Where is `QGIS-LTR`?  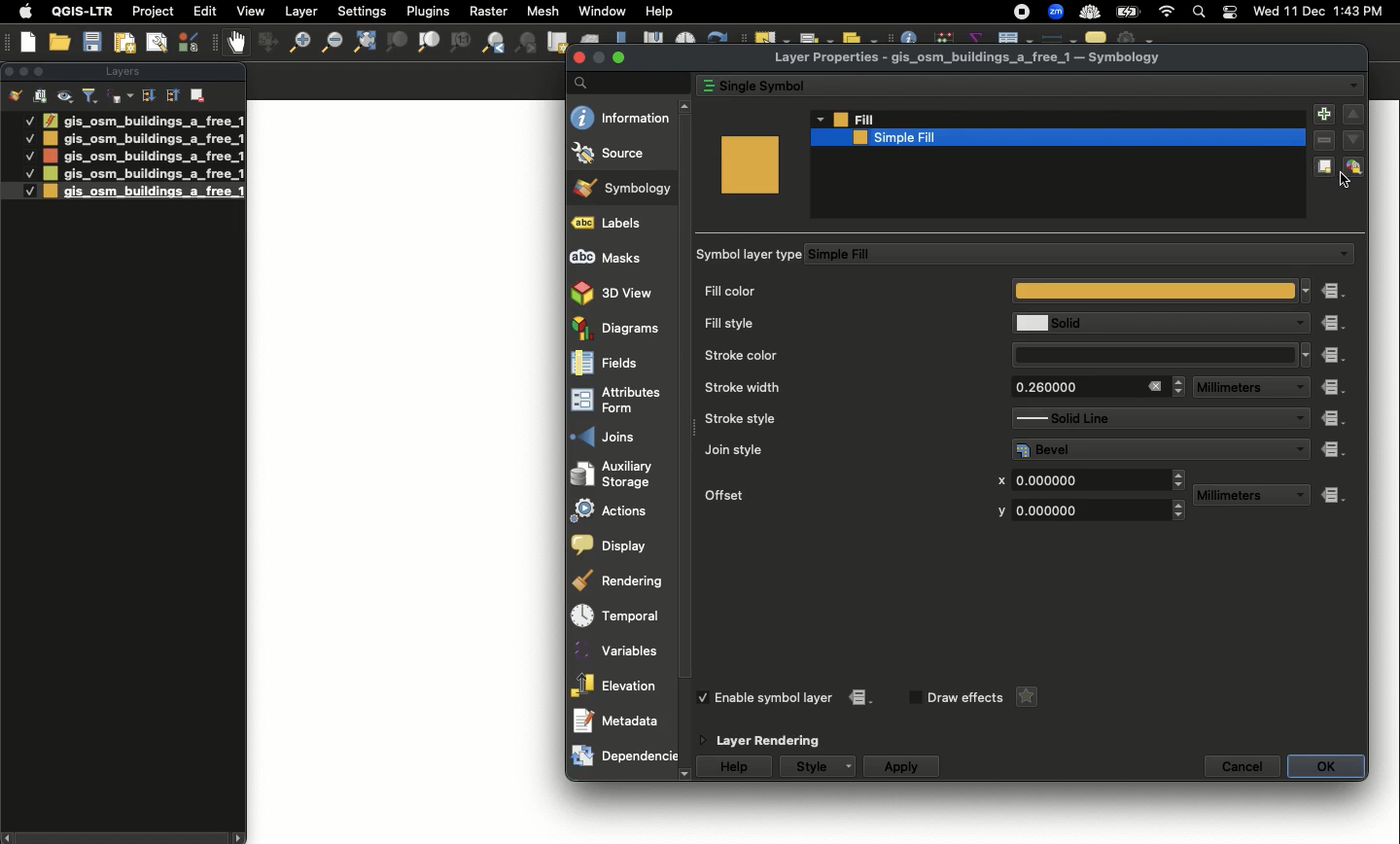 QGIS-LTR is located at coordinates (83, 11).